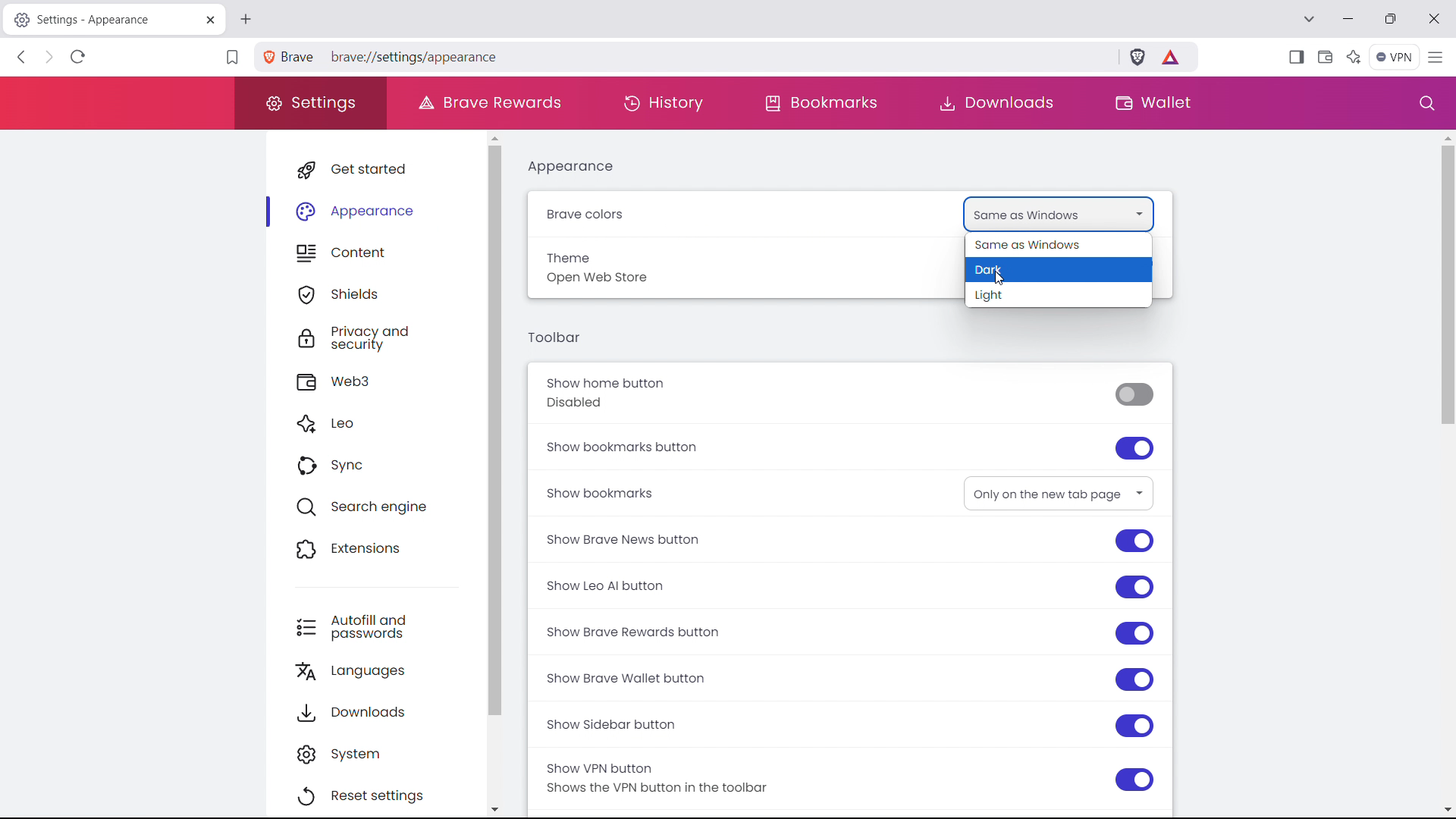 Image resolution: width=1456 pixels, height=819 pixels. Describe the element at coordinates (387, 250) in the screenshot. I see `content` at that location.